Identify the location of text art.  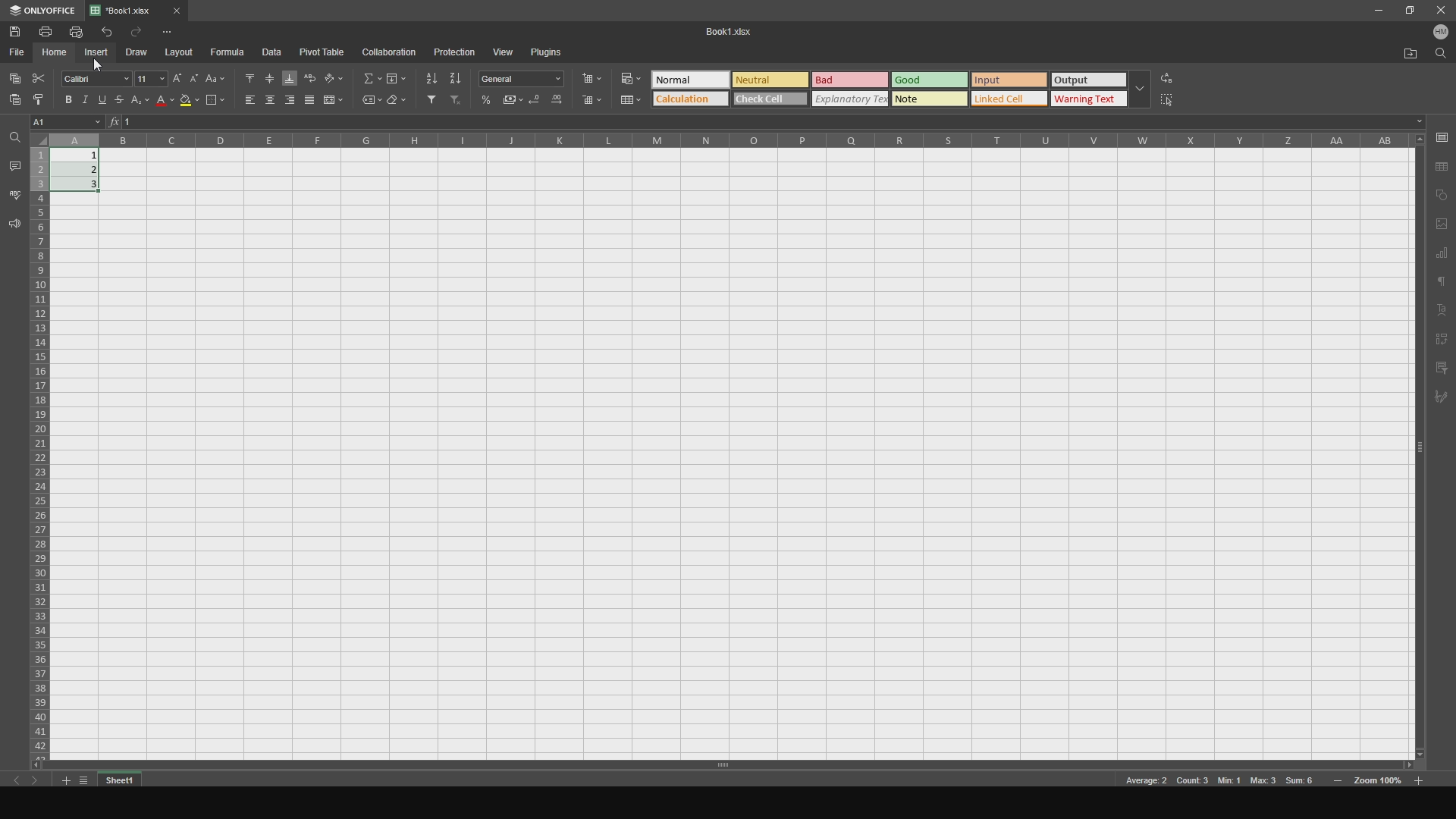
(1443, 311).